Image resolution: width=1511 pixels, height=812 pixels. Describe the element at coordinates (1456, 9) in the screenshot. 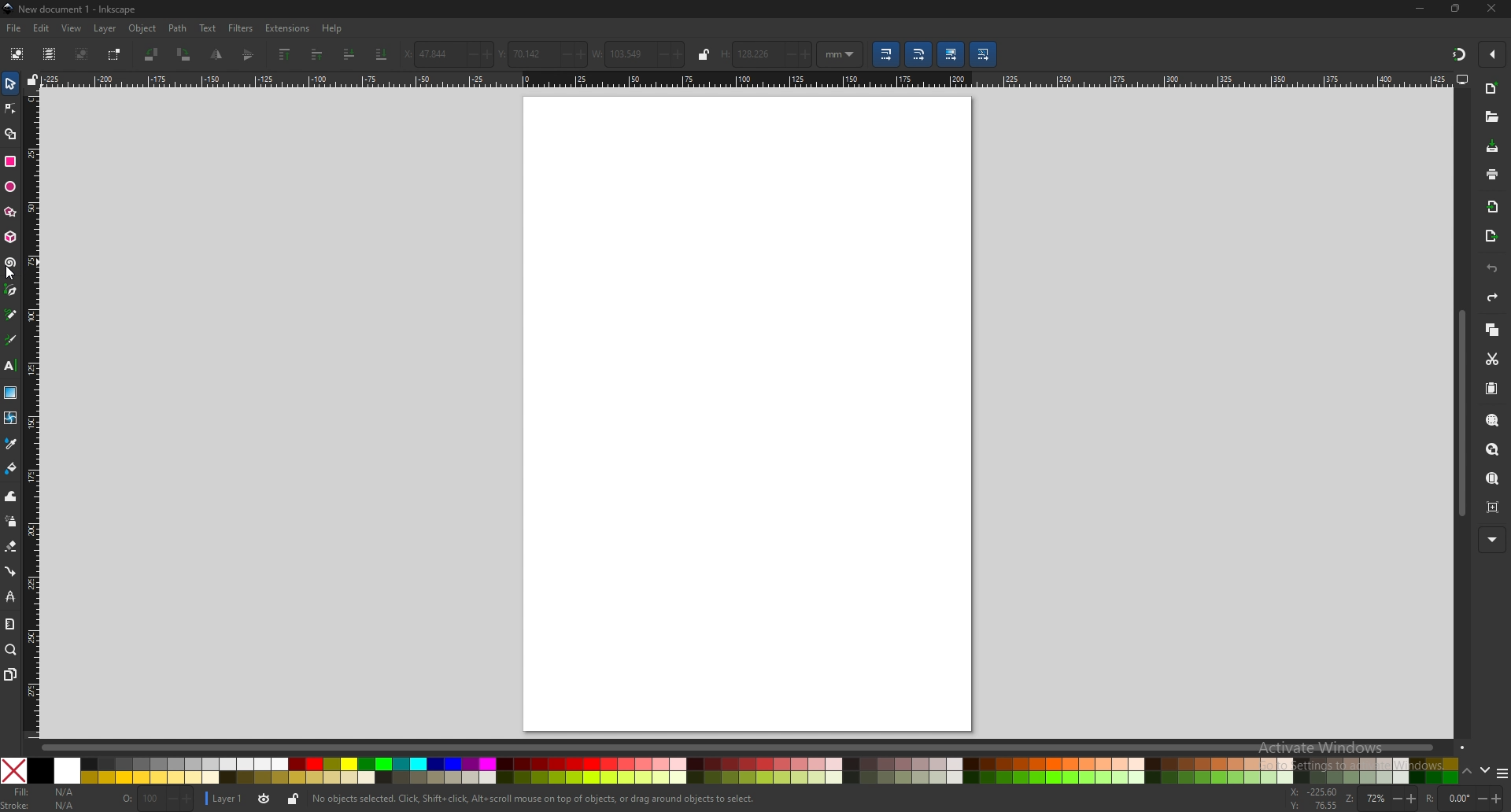

I see `resize` at that location.